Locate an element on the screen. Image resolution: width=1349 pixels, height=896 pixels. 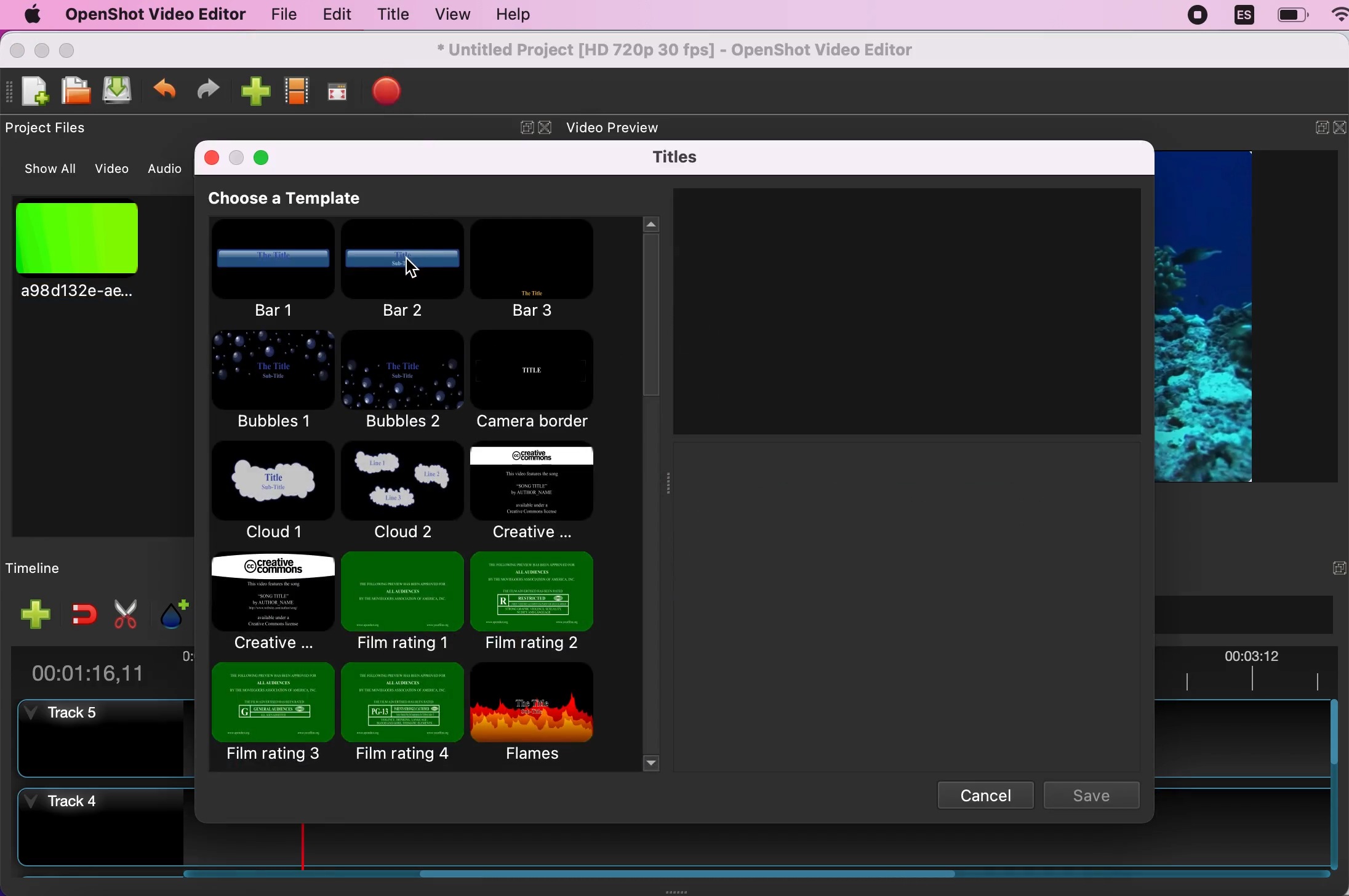
minimize is located at coordinates (42, 49).